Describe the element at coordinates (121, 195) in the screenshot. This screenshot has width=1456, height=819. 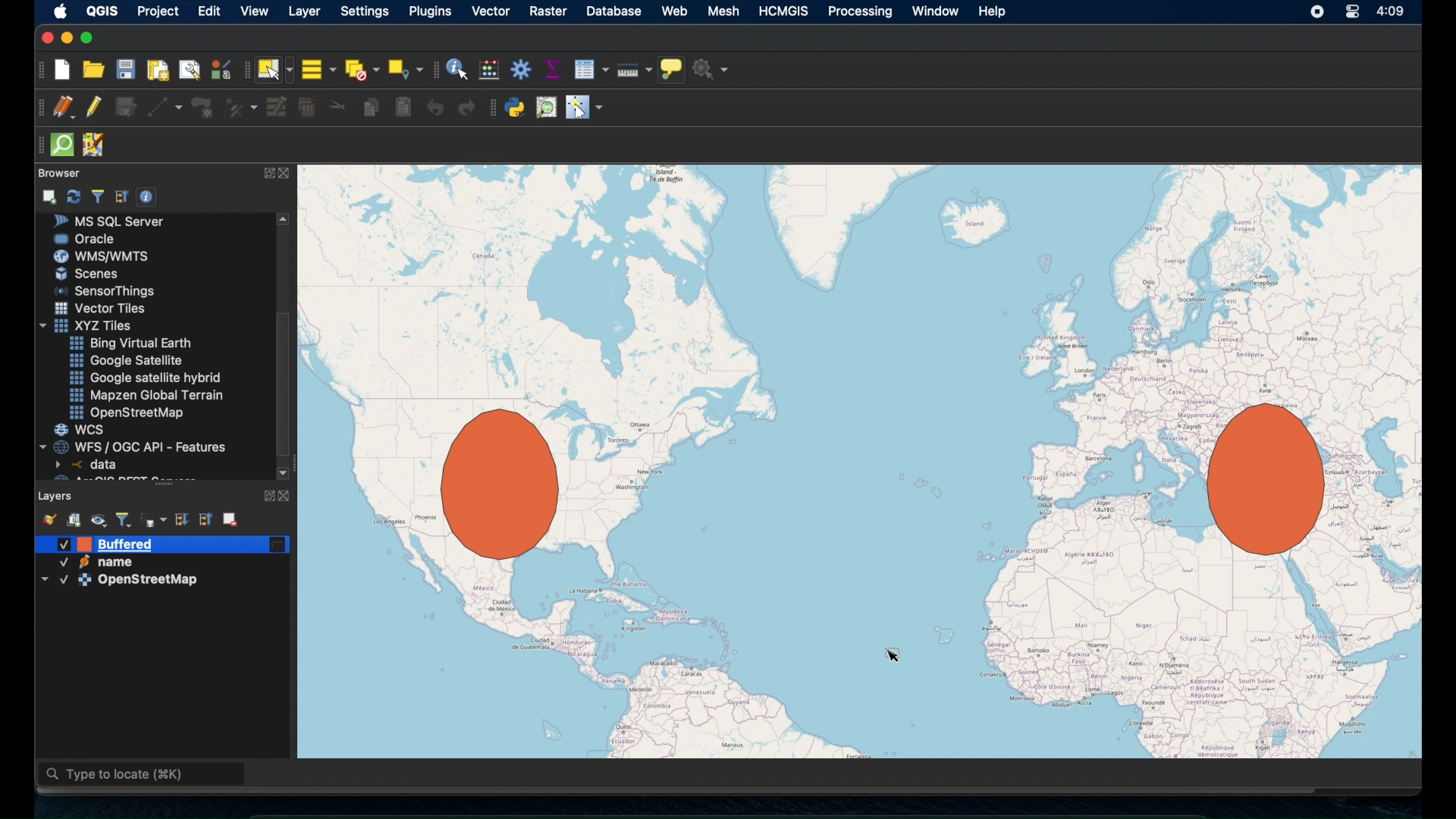
I see `collapse all` at that location.